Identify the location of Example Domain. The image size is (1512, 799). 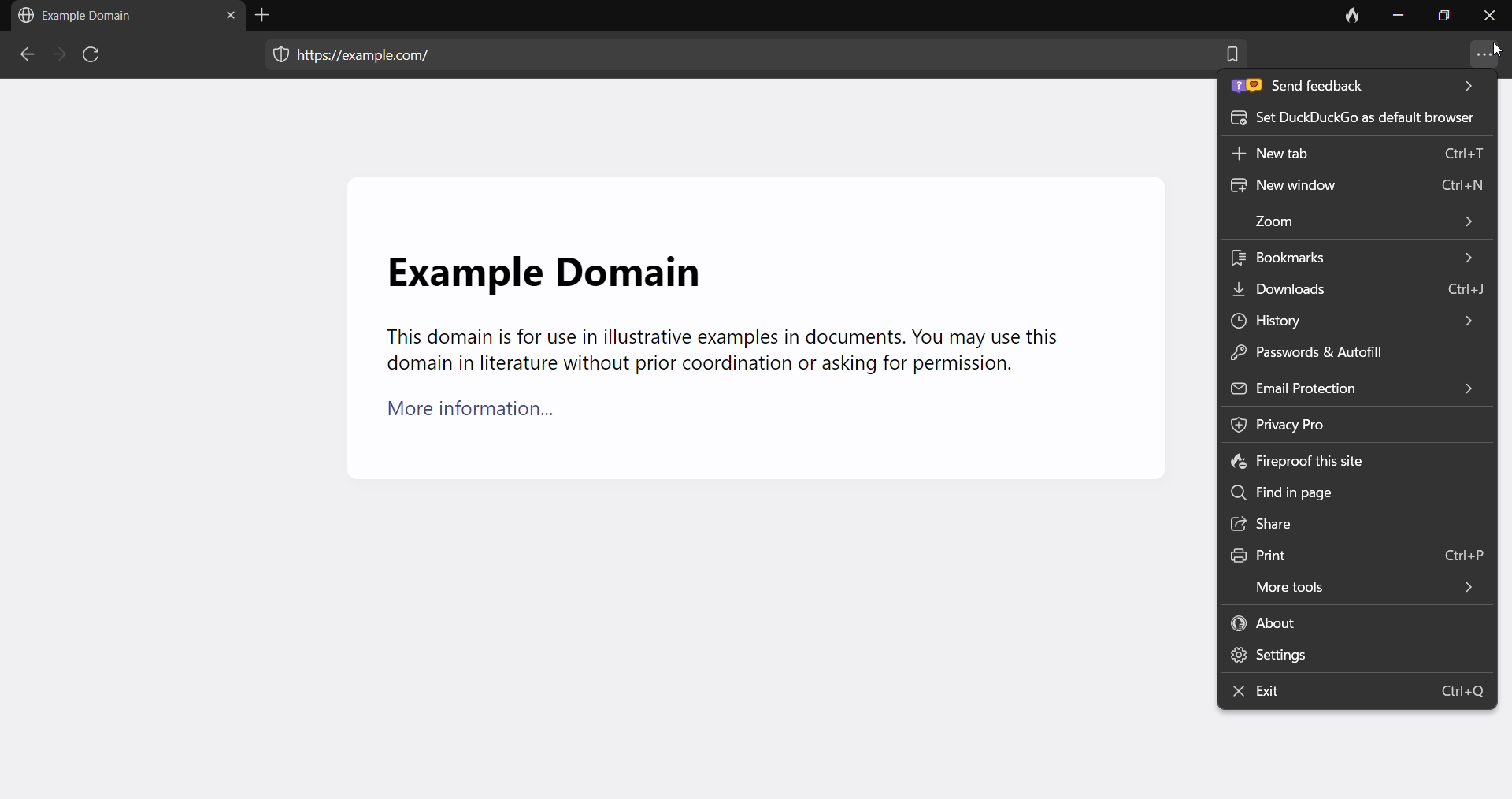
(542, 263).